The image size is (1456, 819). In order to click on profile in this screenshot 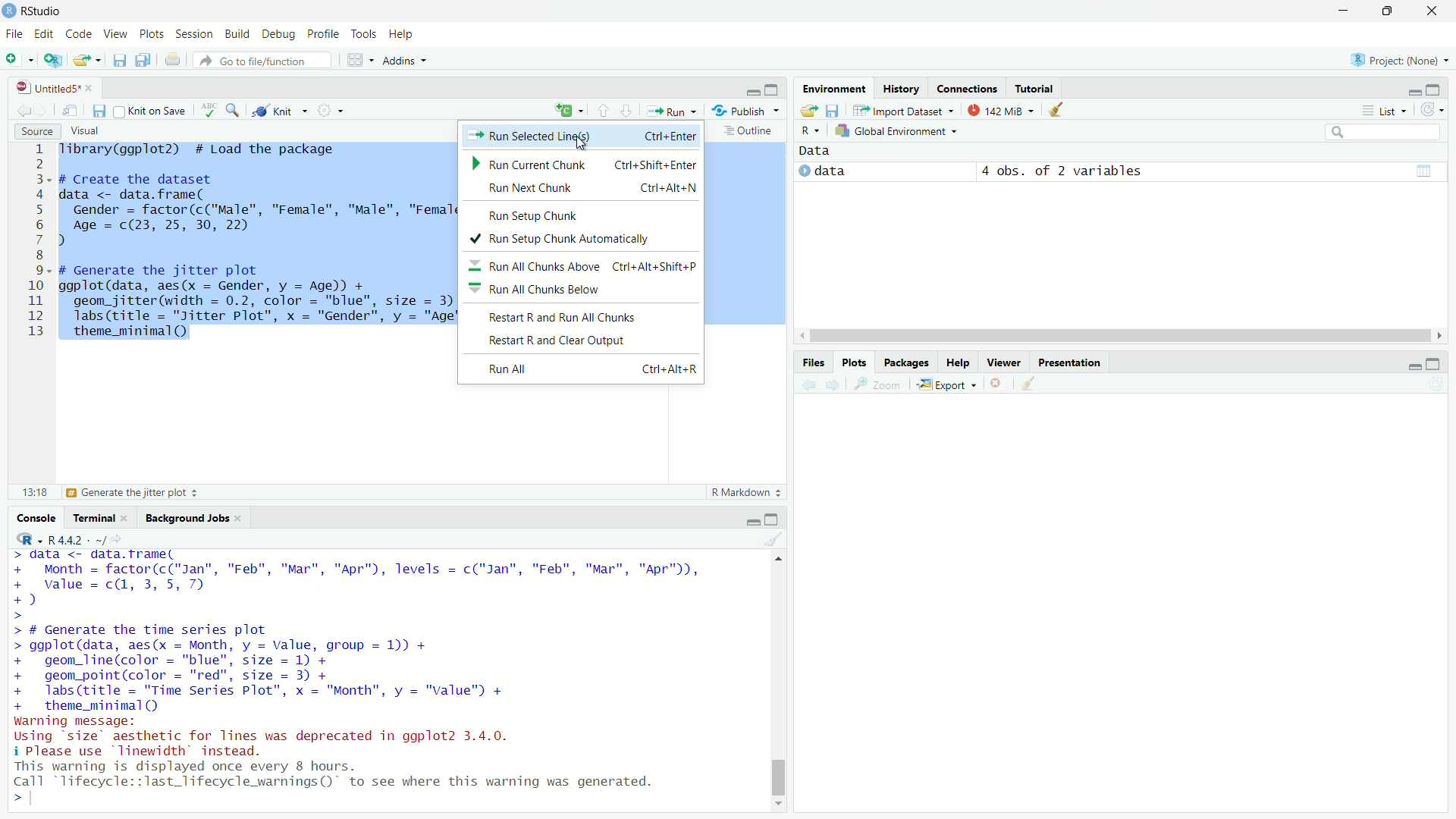, I will do `click(325, 33)`.